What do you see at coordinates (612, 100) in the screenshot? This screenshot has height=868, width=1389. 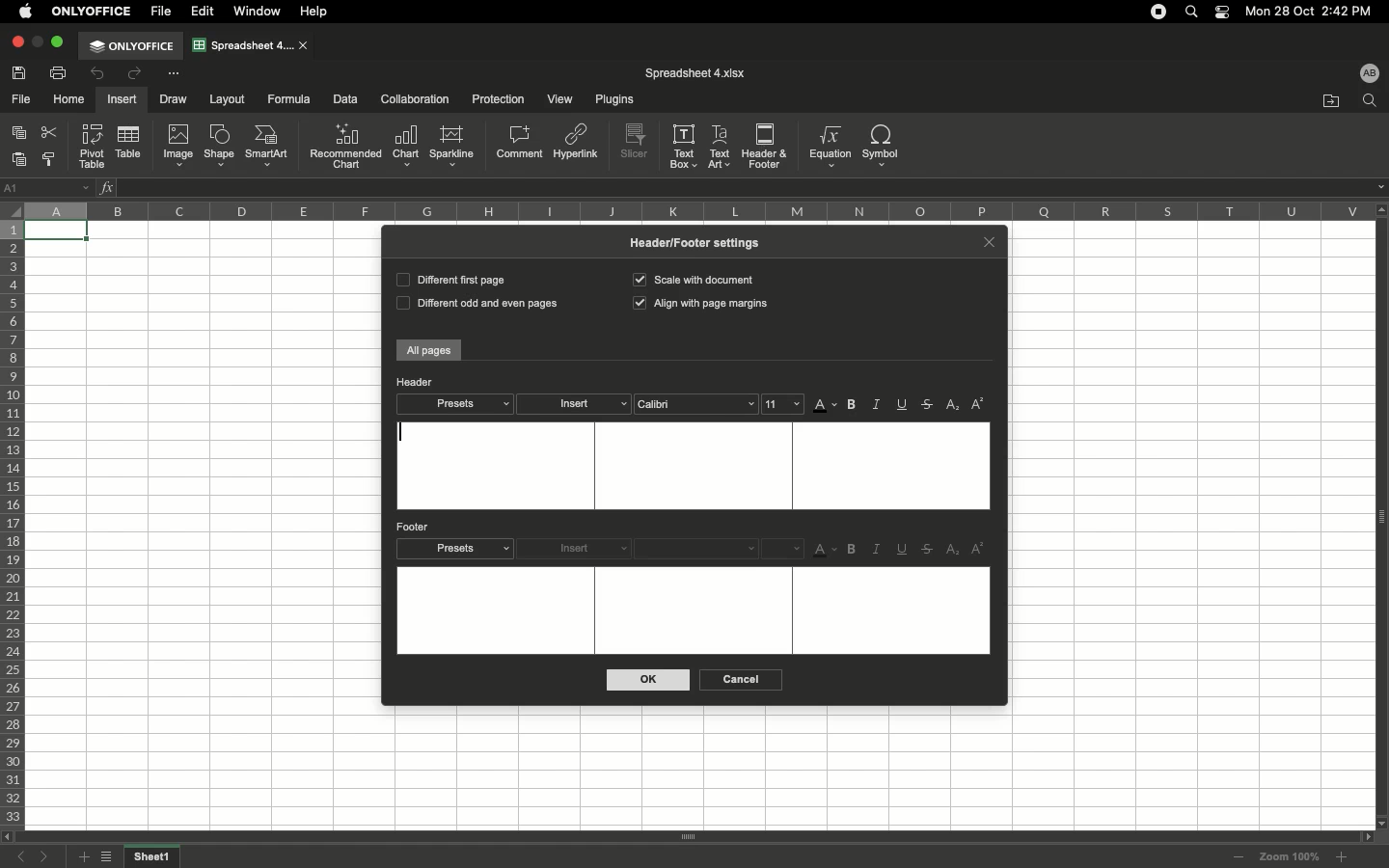 I see `Plugins` at bounding box center [612, 100].